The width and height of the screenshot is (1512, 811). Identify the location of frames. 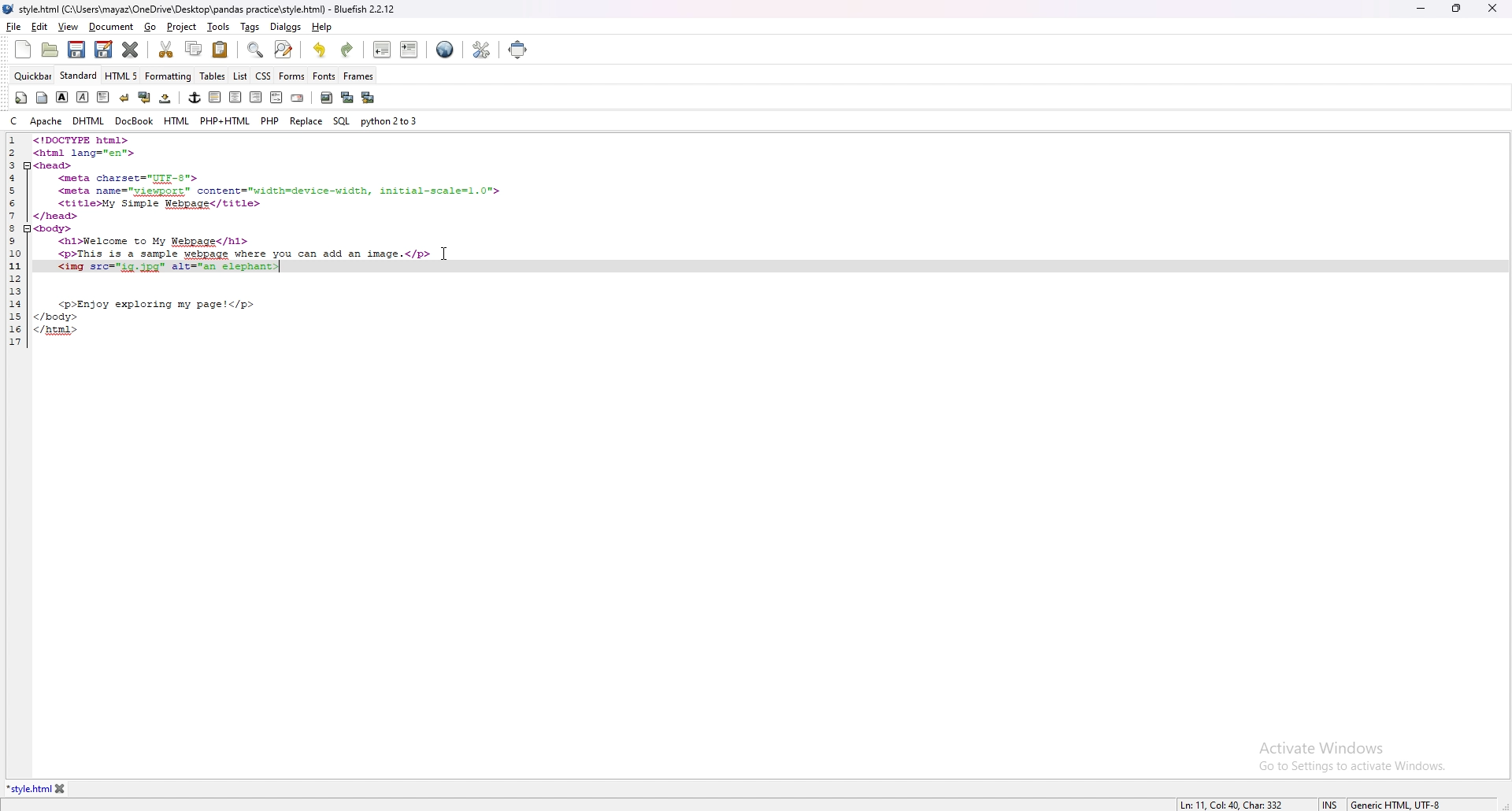
(358, 76).